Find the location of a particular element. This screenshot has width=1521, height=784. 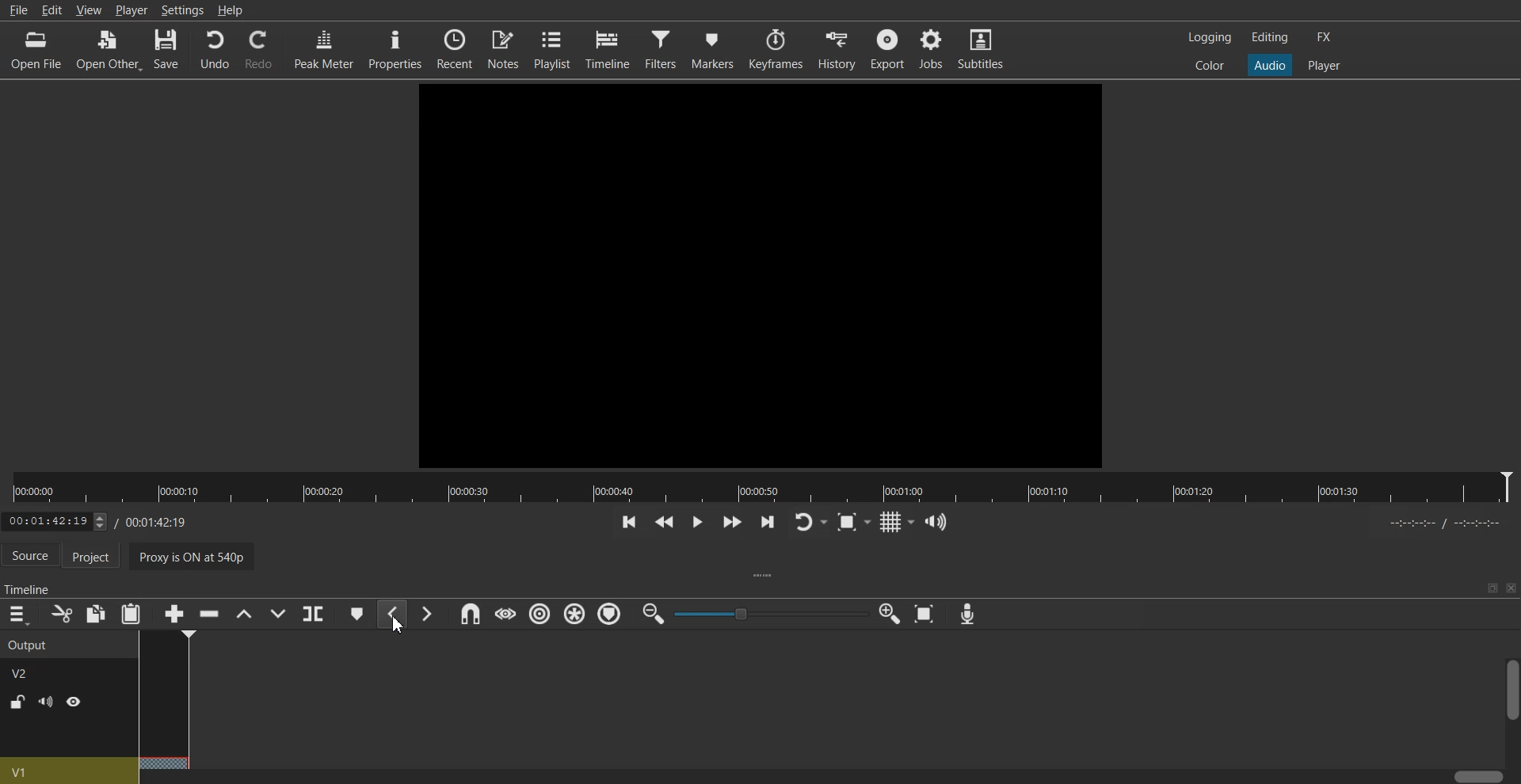

Text  is located at coordinates (29, 658).